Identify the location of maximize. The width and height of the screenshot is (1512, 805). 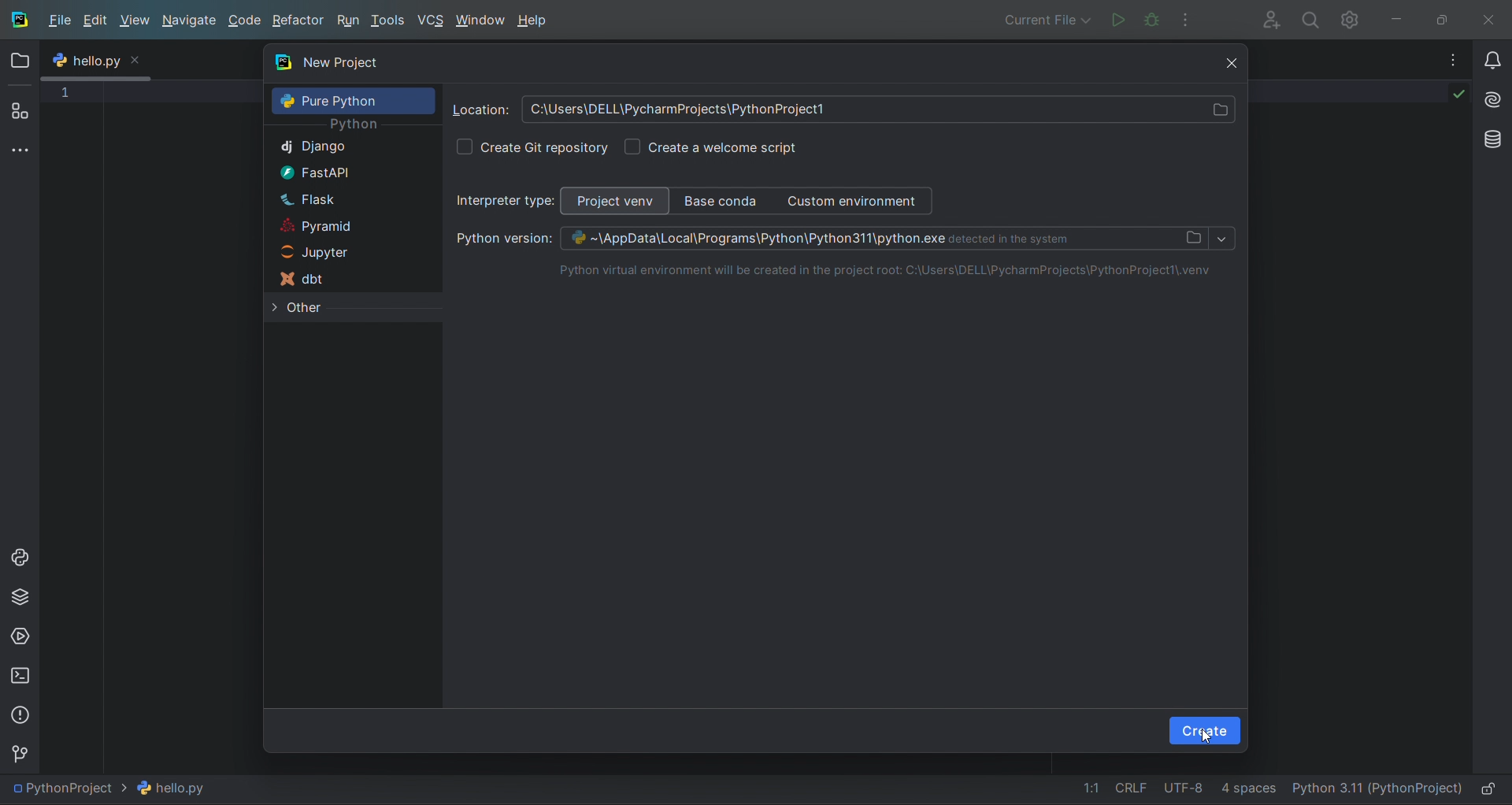
(1447, 18).